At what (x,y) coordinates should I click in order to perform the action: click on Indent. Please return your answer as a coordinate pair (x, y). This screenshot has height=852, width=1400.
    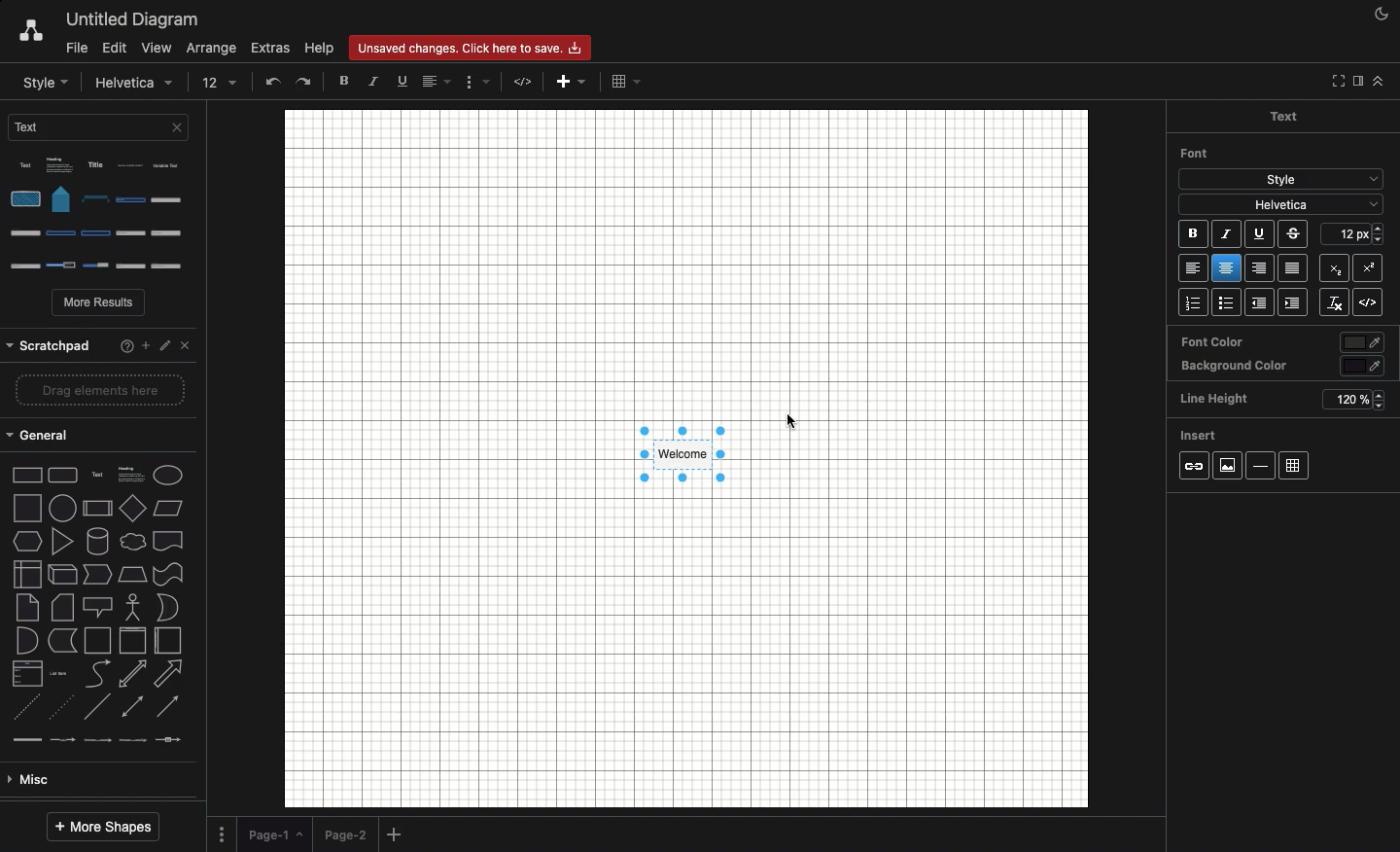
    Looking at the image, I should click on (1292, 304).